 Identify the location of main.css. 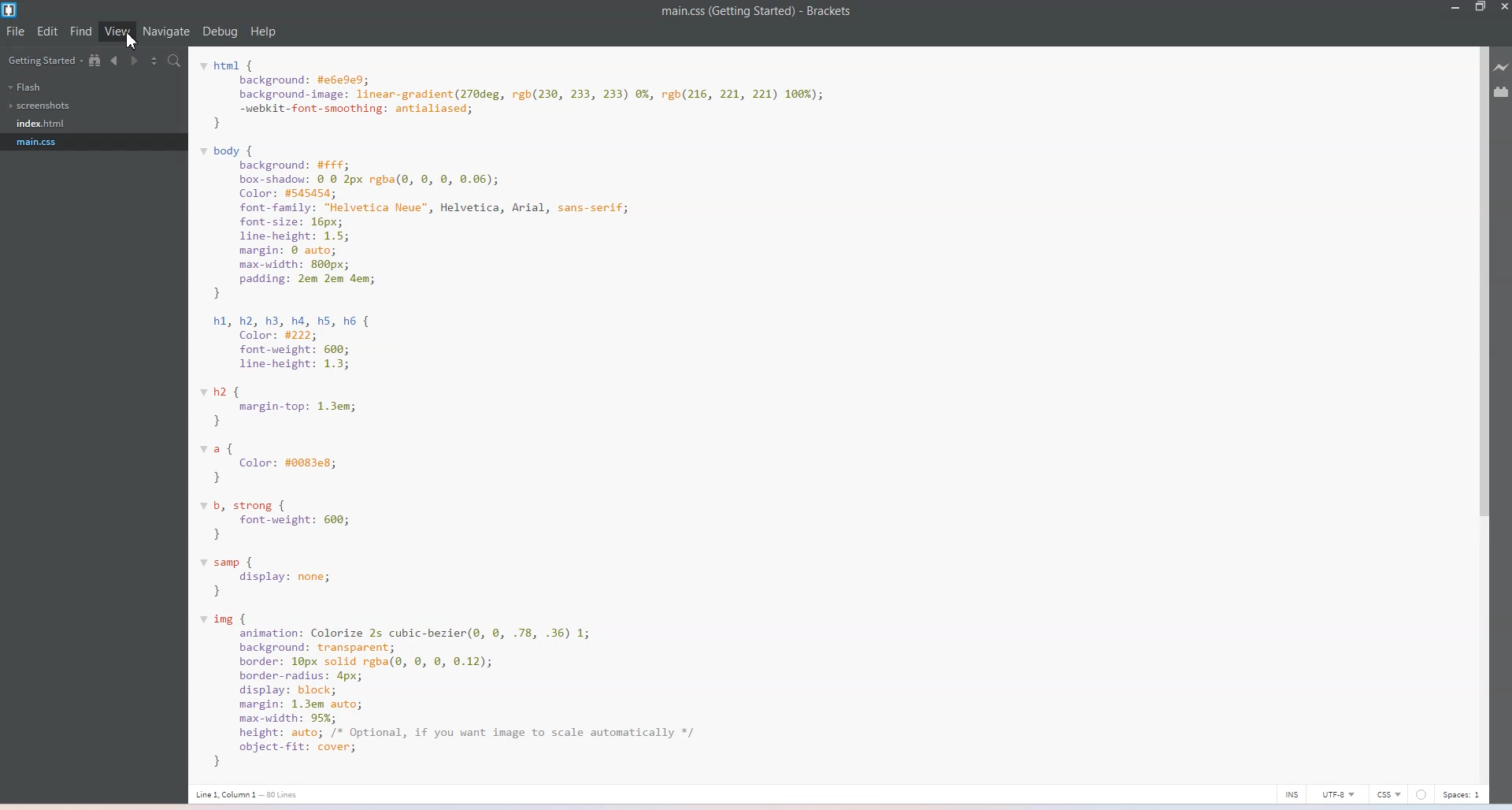
(41, 142).